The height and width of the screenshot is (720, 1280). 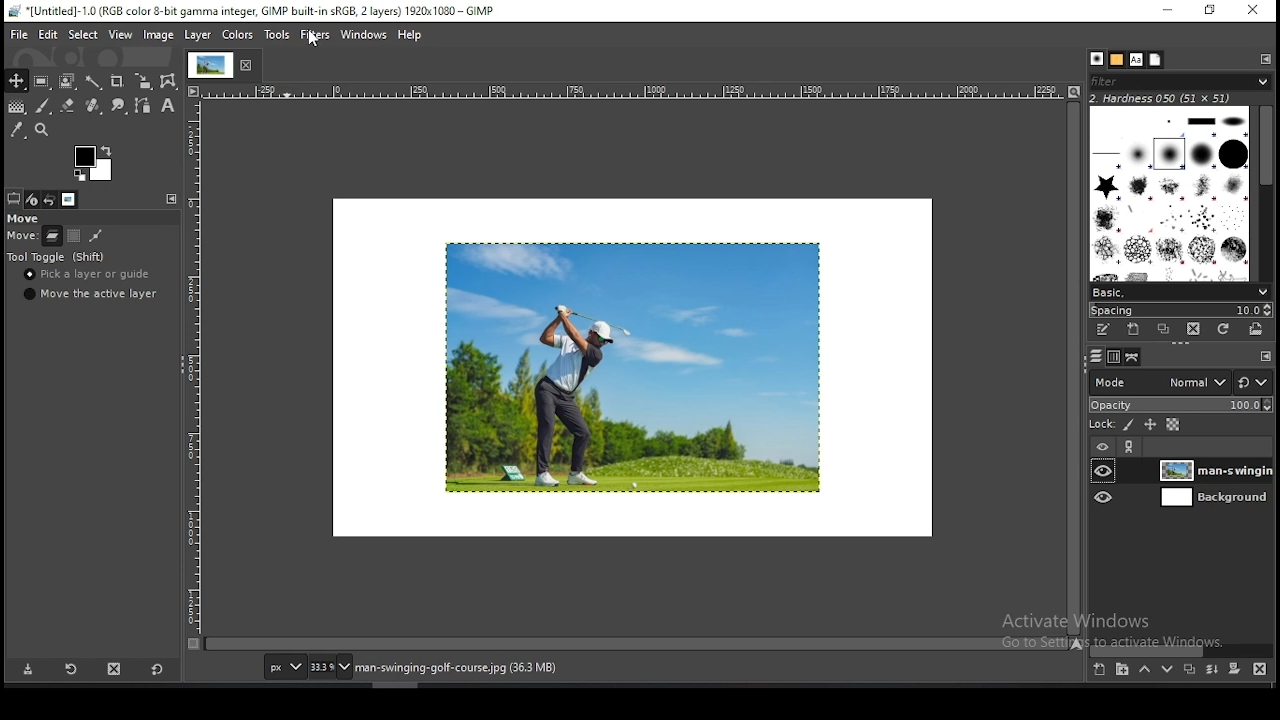 I want to click on move layer one step down, so click(x=1164, y=669).